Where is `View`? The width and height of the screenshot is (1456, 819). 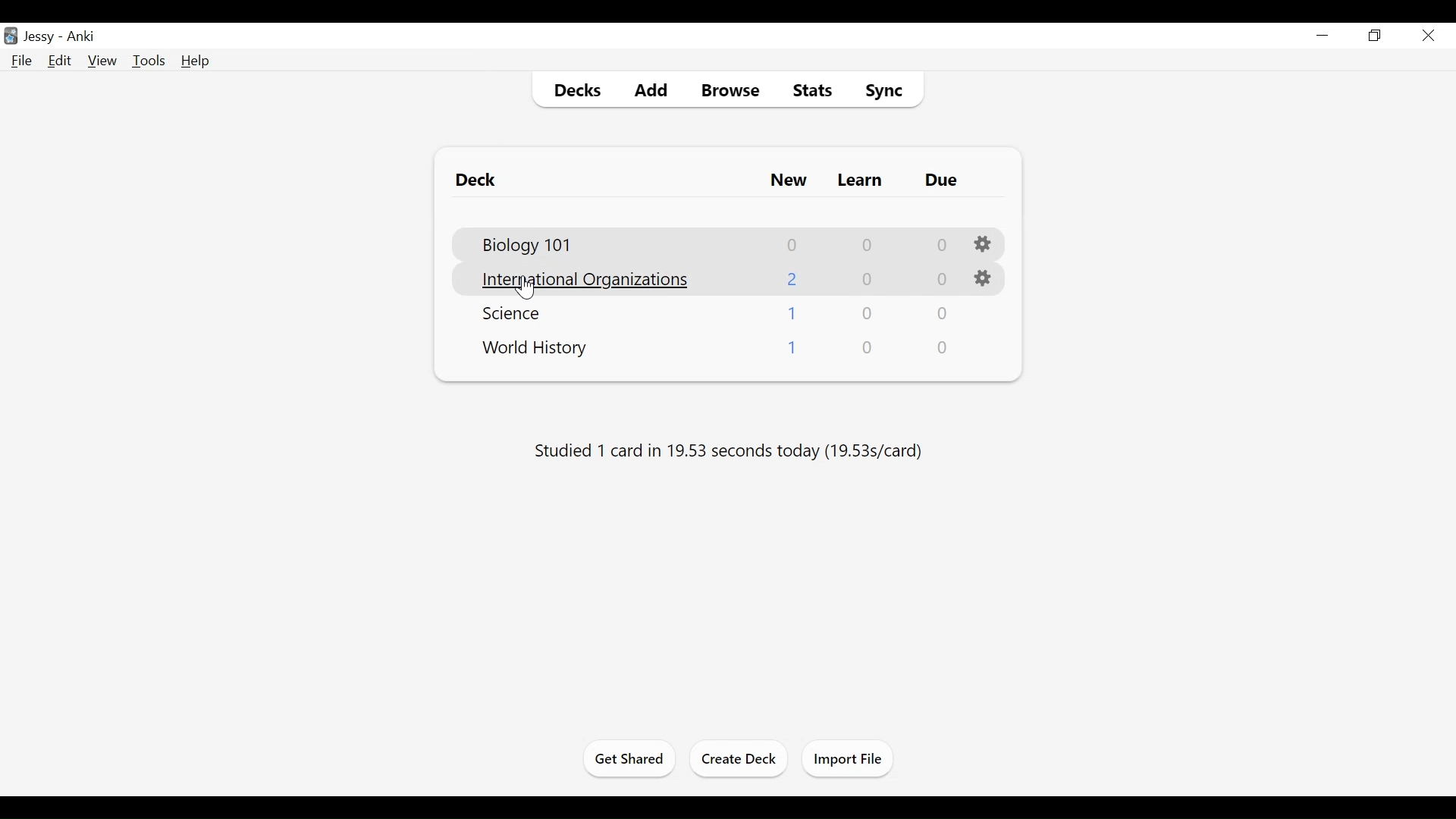 View is located at coordinates (103, 61).